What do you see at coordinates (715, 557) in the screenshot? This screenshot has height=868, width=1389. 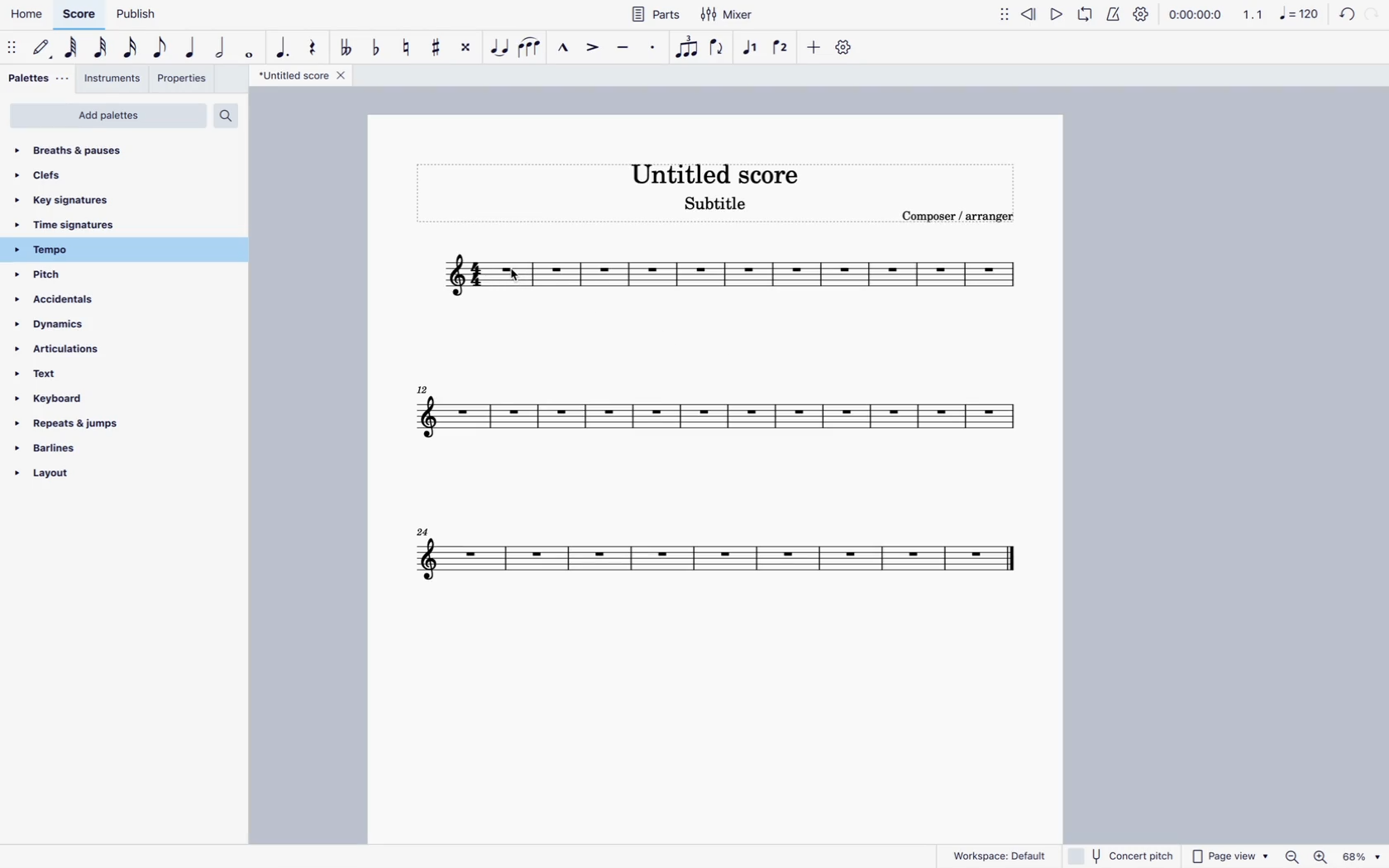 I see `score` at bounding box center [715, 557].